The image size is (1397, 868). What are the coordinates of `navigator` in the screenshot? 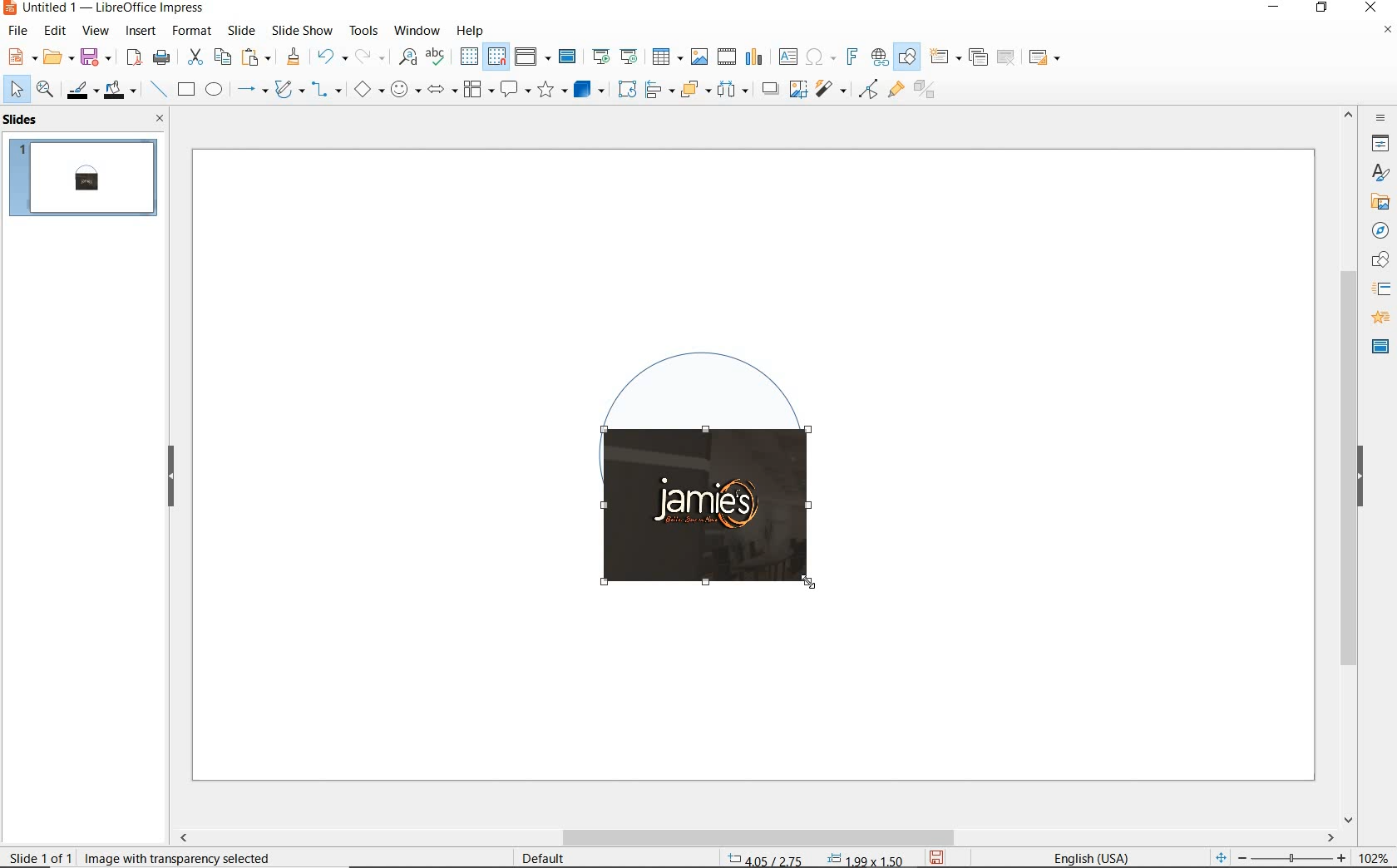 It's located at (1379, 229).